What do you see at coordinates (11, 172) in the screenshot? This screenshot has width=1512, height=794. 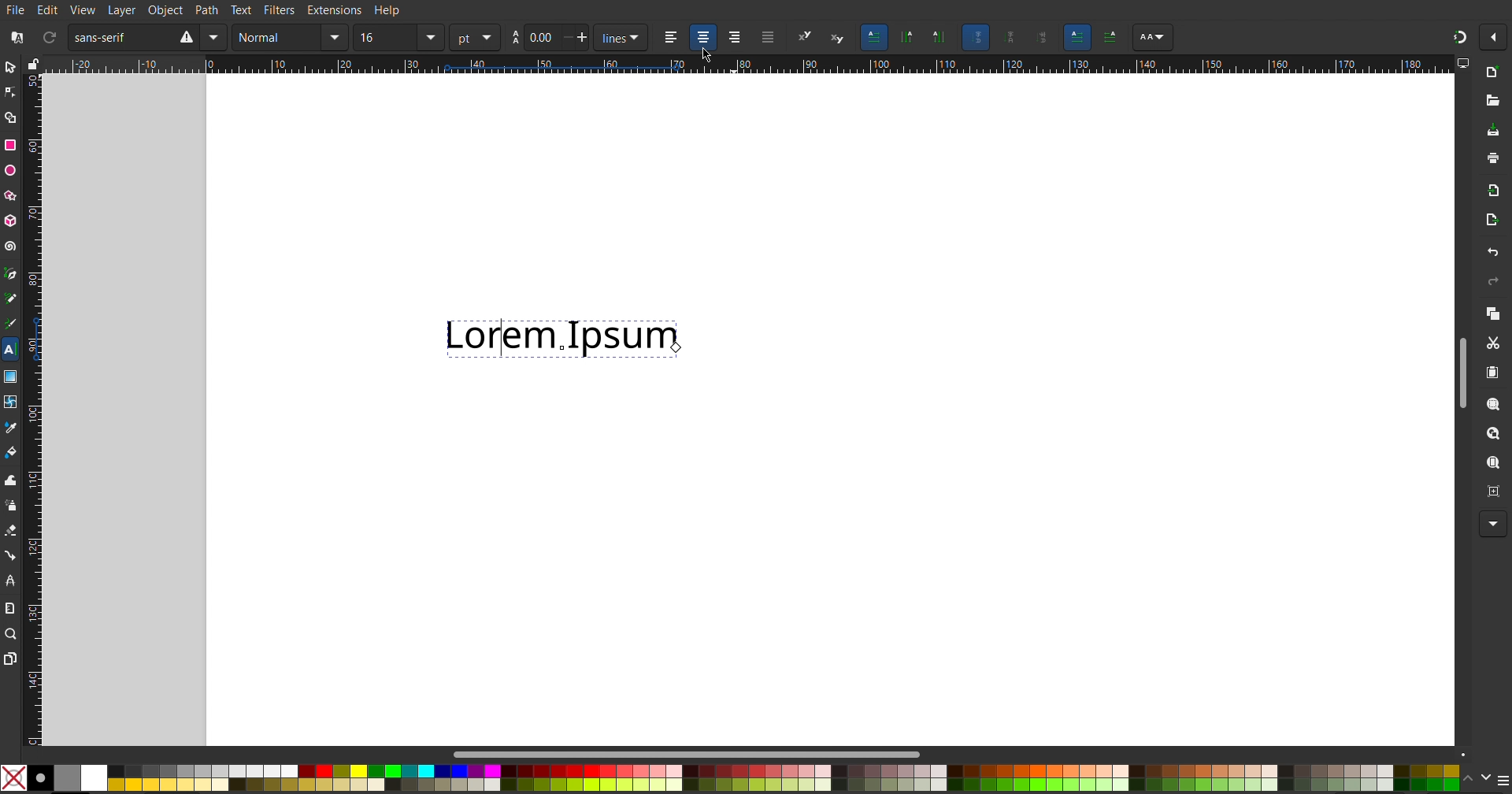 I see `Ellipse` at bounding box center [11, 172].